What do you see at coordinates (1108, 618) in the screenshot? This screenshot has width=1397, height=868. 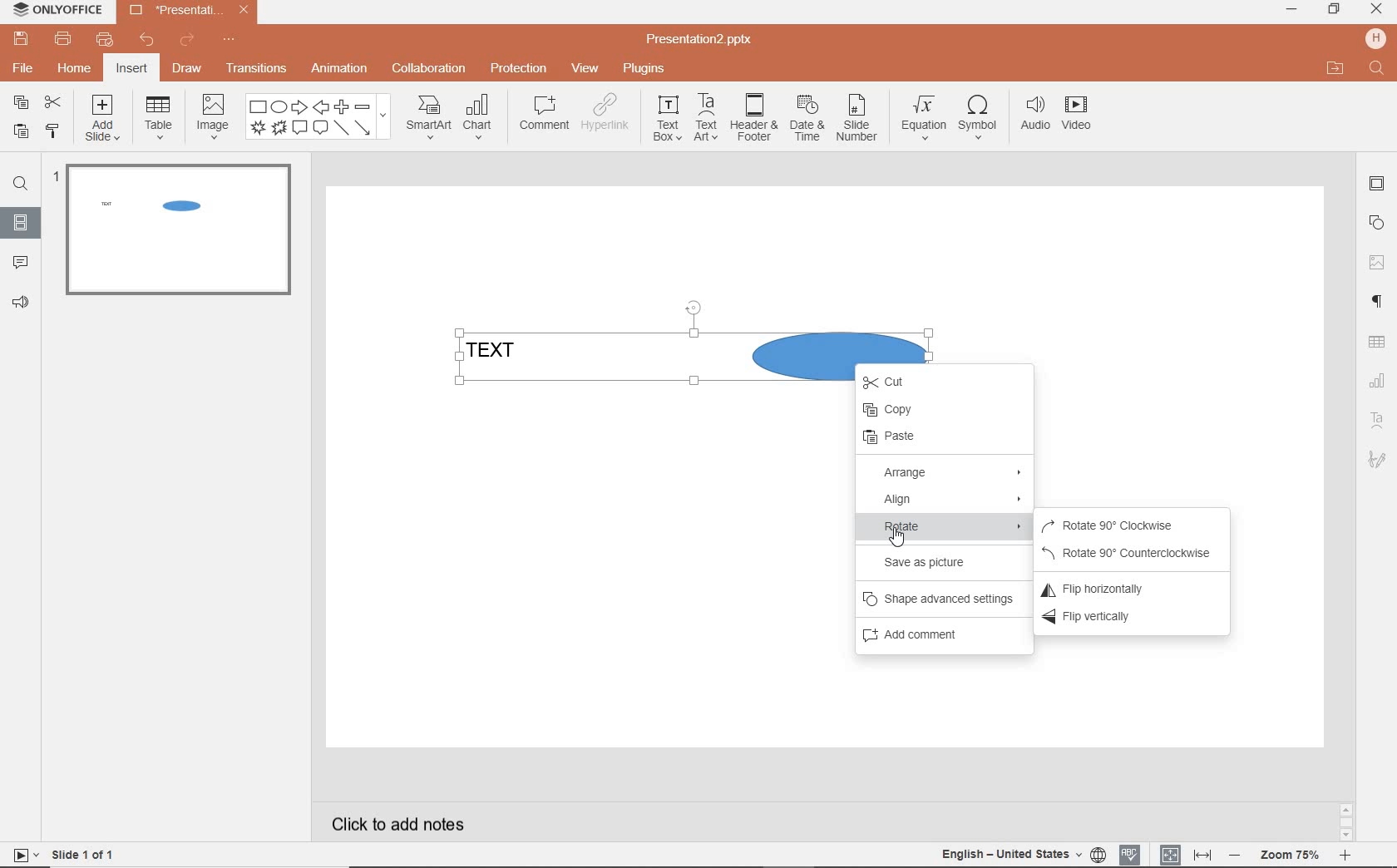 I see `FLIP VERTICALLY` at bounding box center [1108, 618].